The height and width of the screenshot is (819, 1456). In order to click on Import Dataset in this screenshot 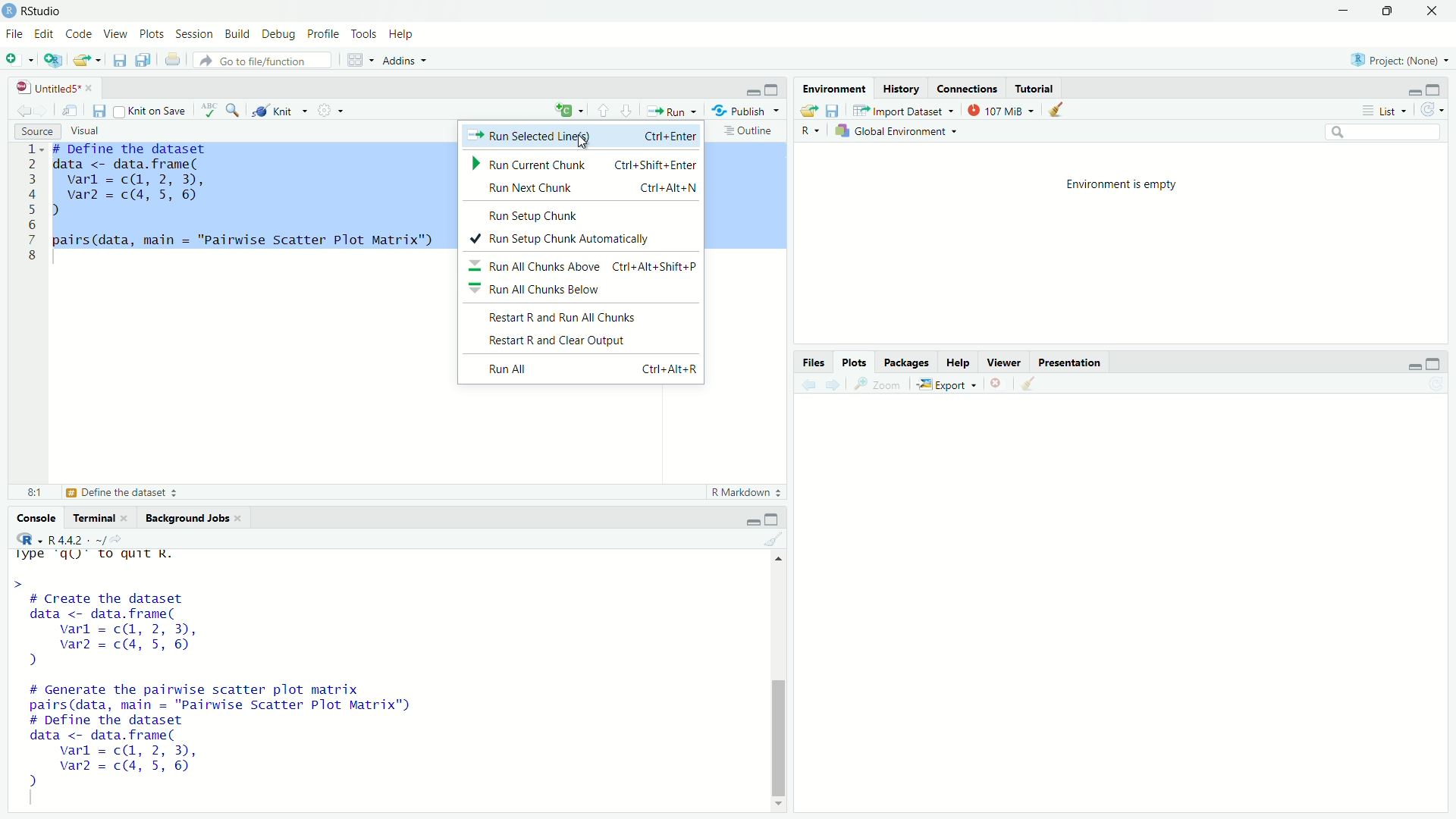, I will do `click(902, 109)`.